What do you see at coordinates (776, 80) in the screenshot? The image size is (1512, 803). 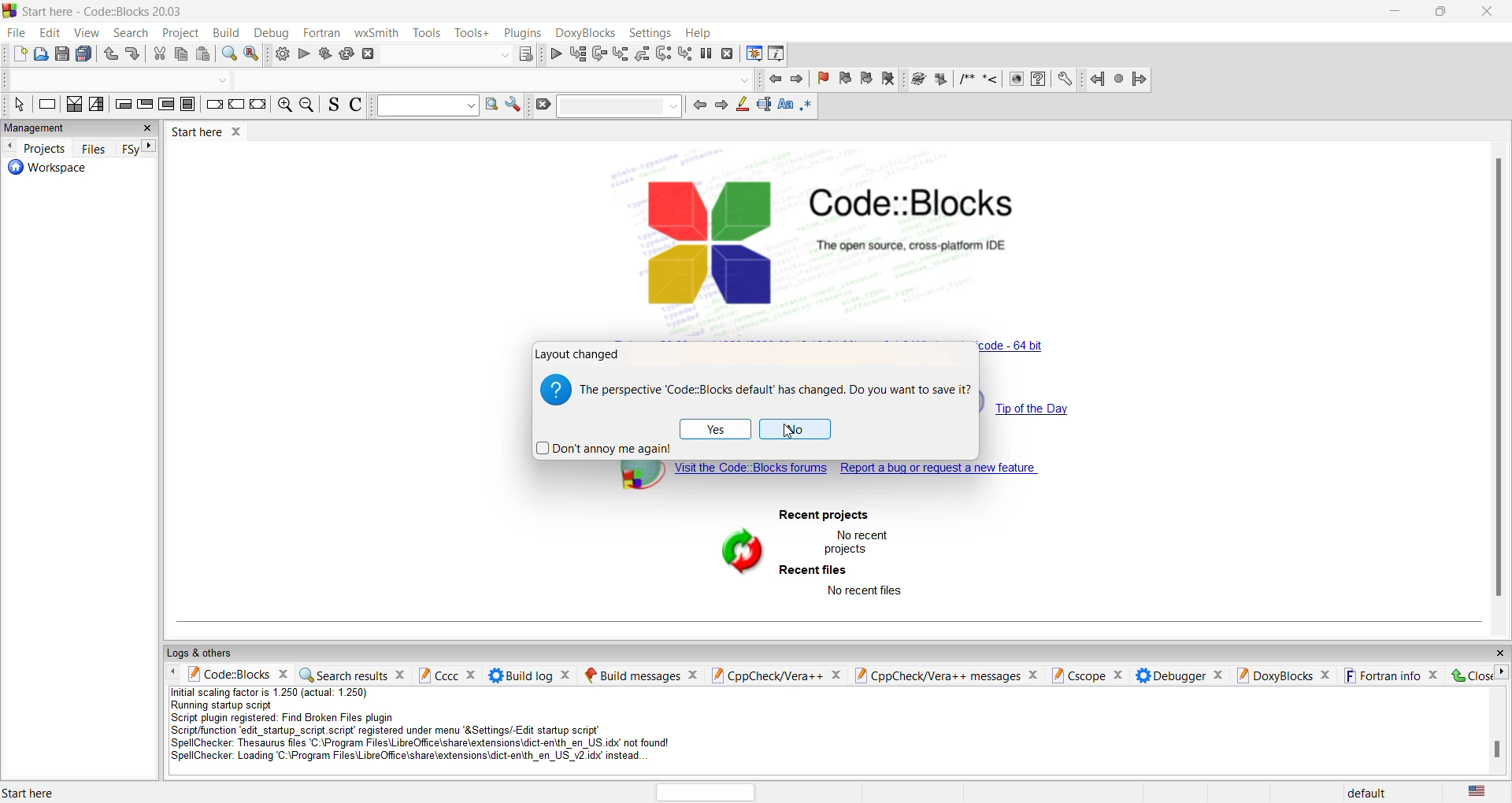 I see `go back` at bounding box center [776, 80].